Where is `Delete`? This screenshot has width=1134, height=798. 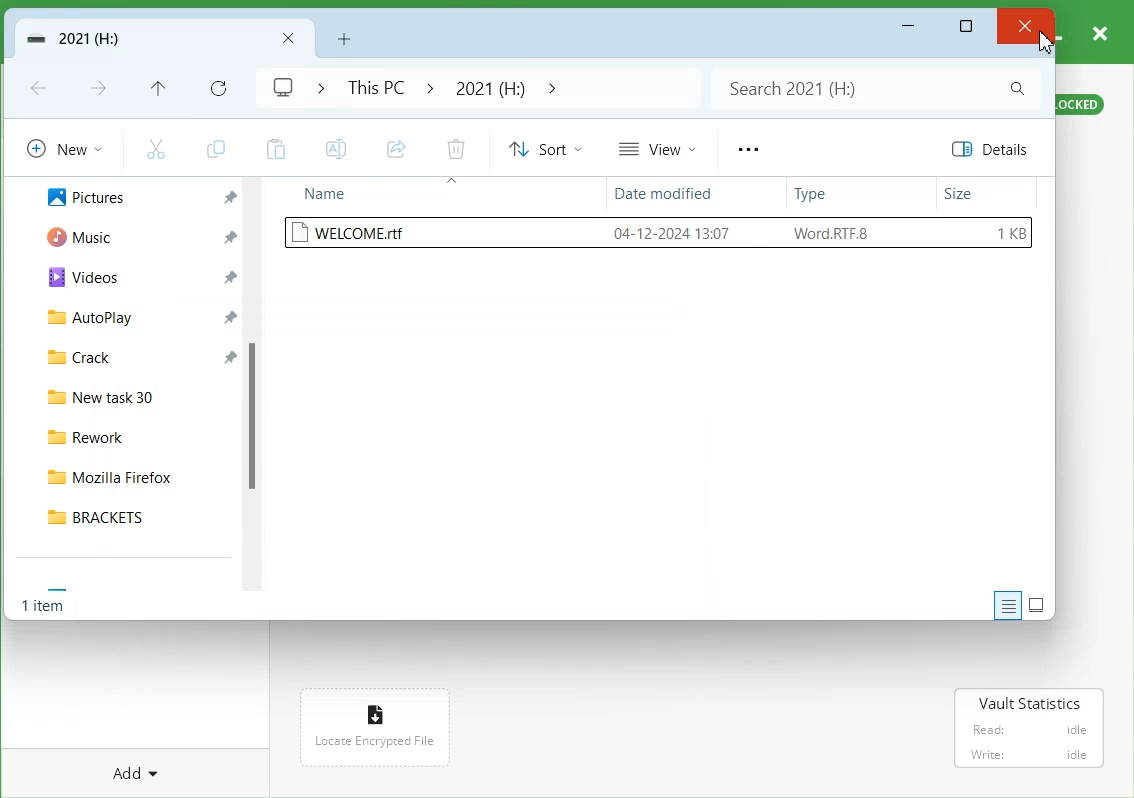 Delete is located at coordinates (456, 148).